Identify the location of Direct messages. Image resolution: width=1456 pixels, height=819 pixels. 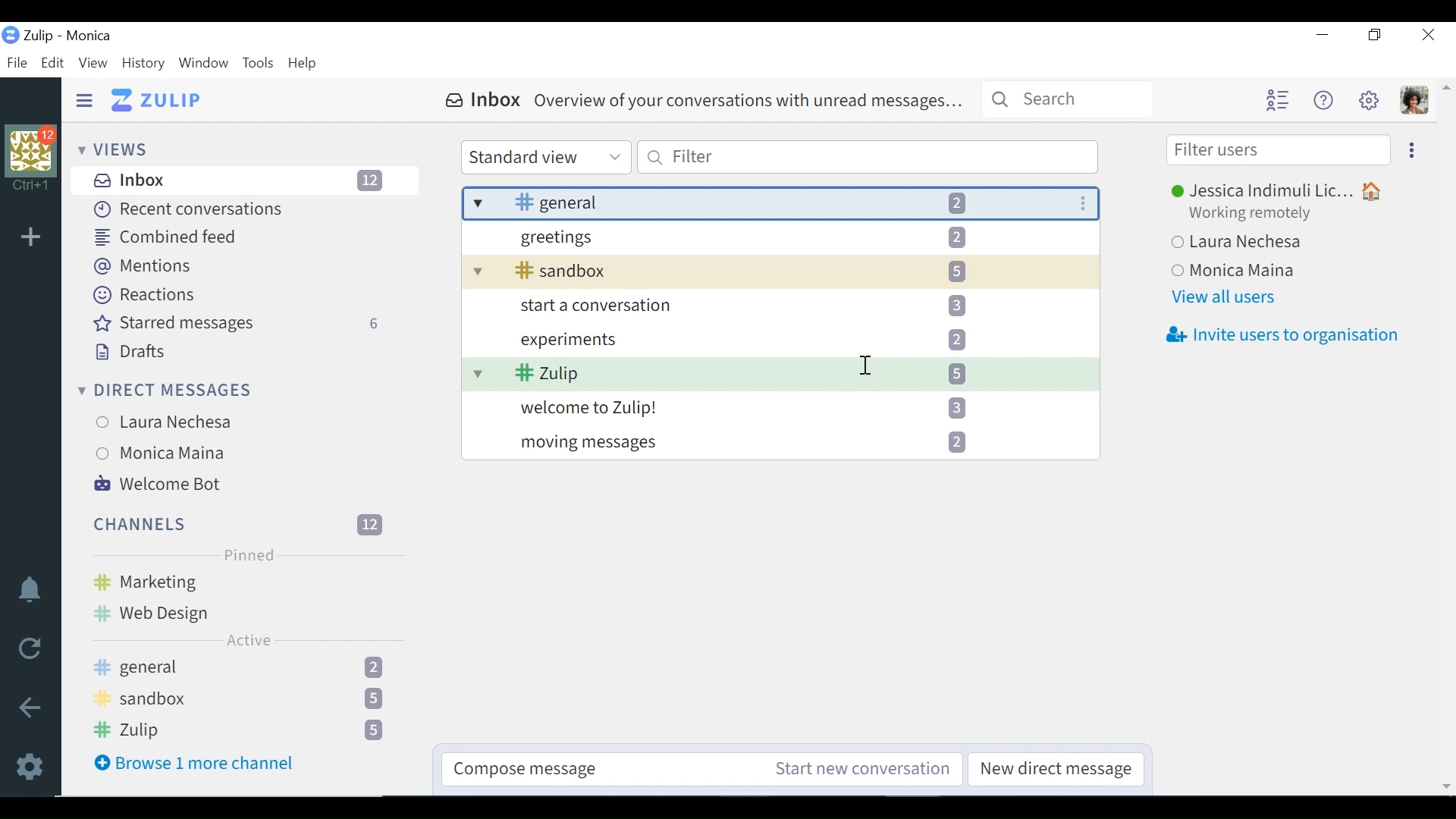
(163, 391).